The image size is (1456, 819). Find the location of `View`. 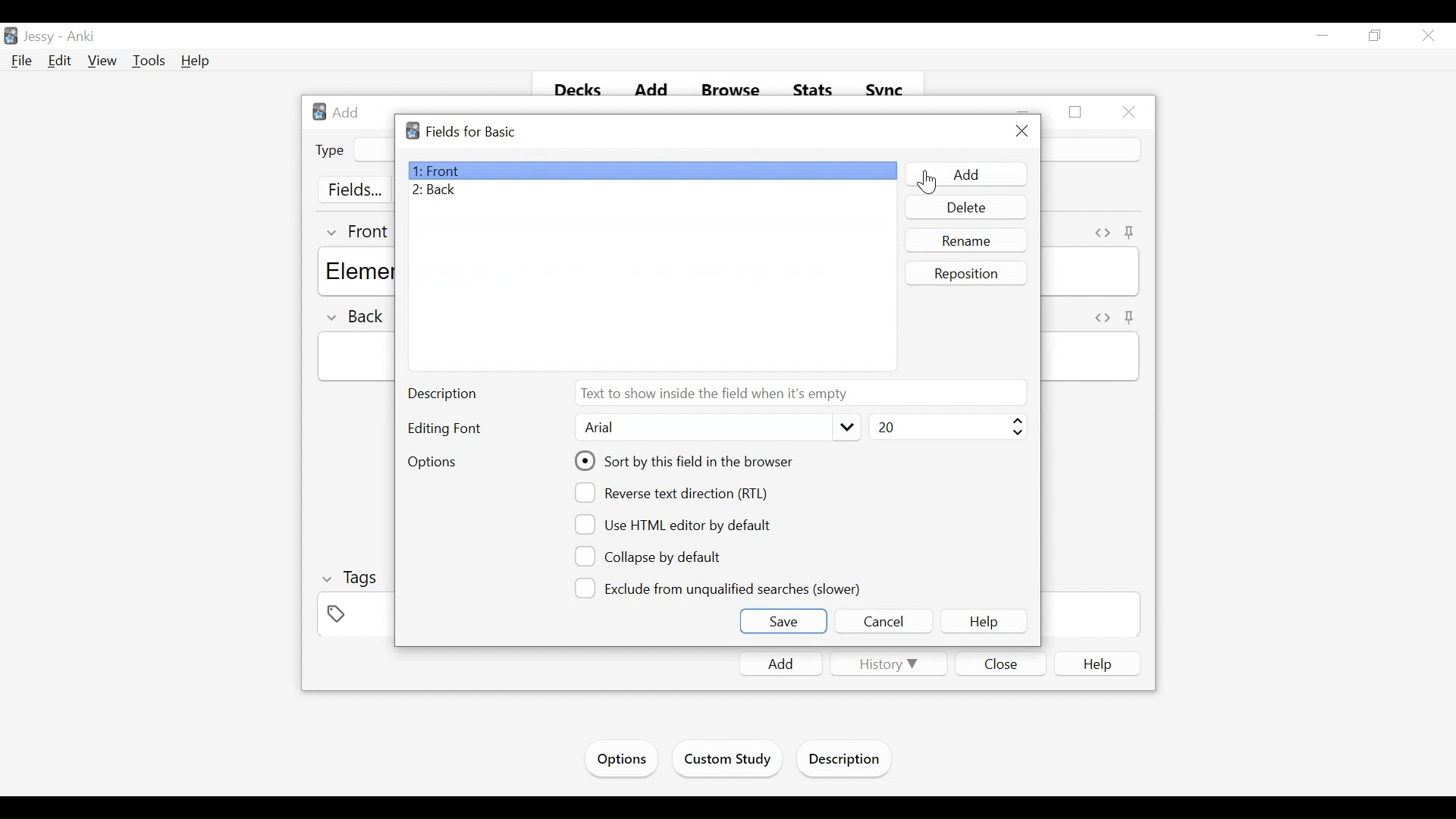

View is located at coordinates (103, 61).